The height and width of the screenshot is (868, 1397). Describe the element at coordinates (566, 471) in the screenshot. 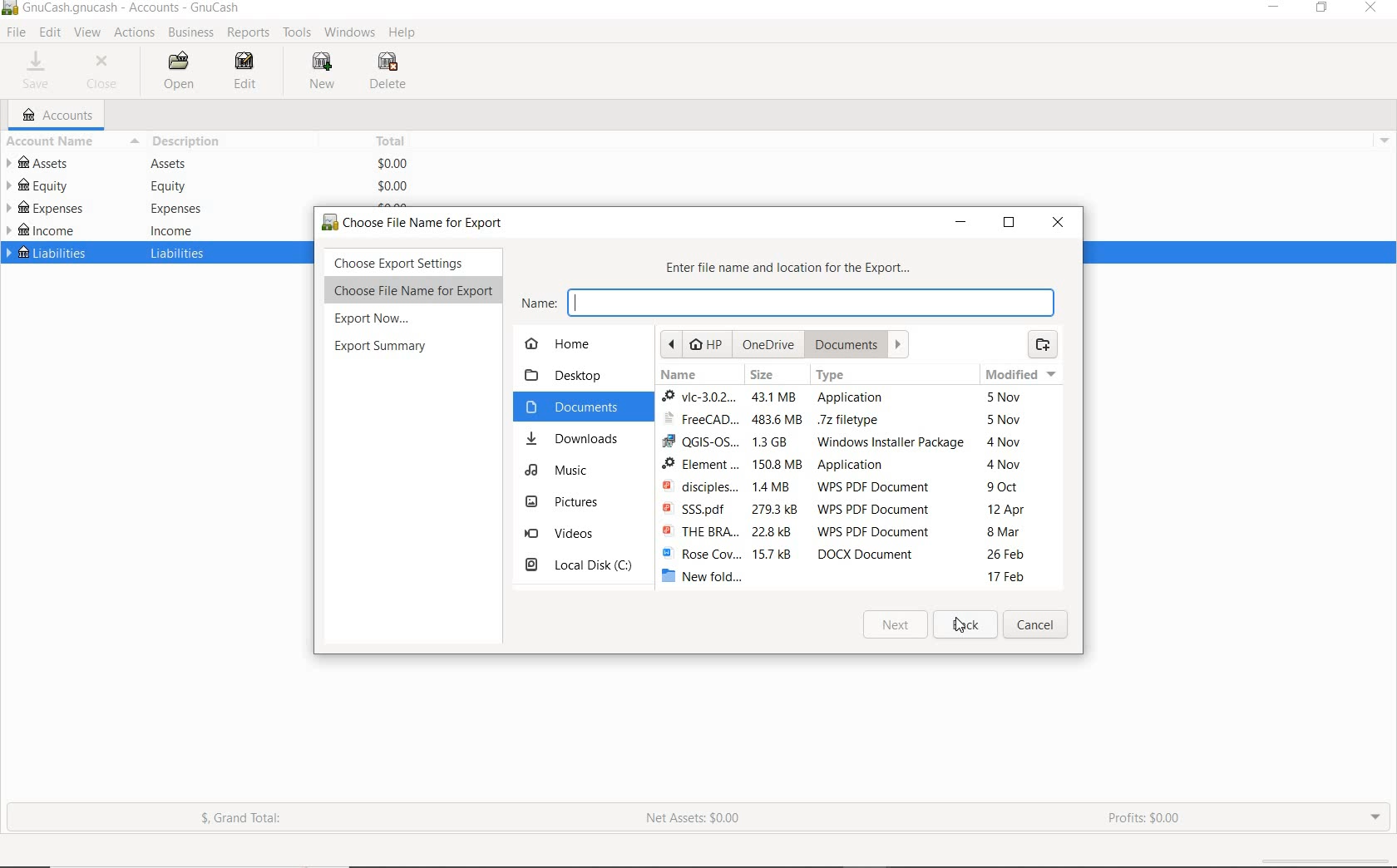

I see `music` at that location.